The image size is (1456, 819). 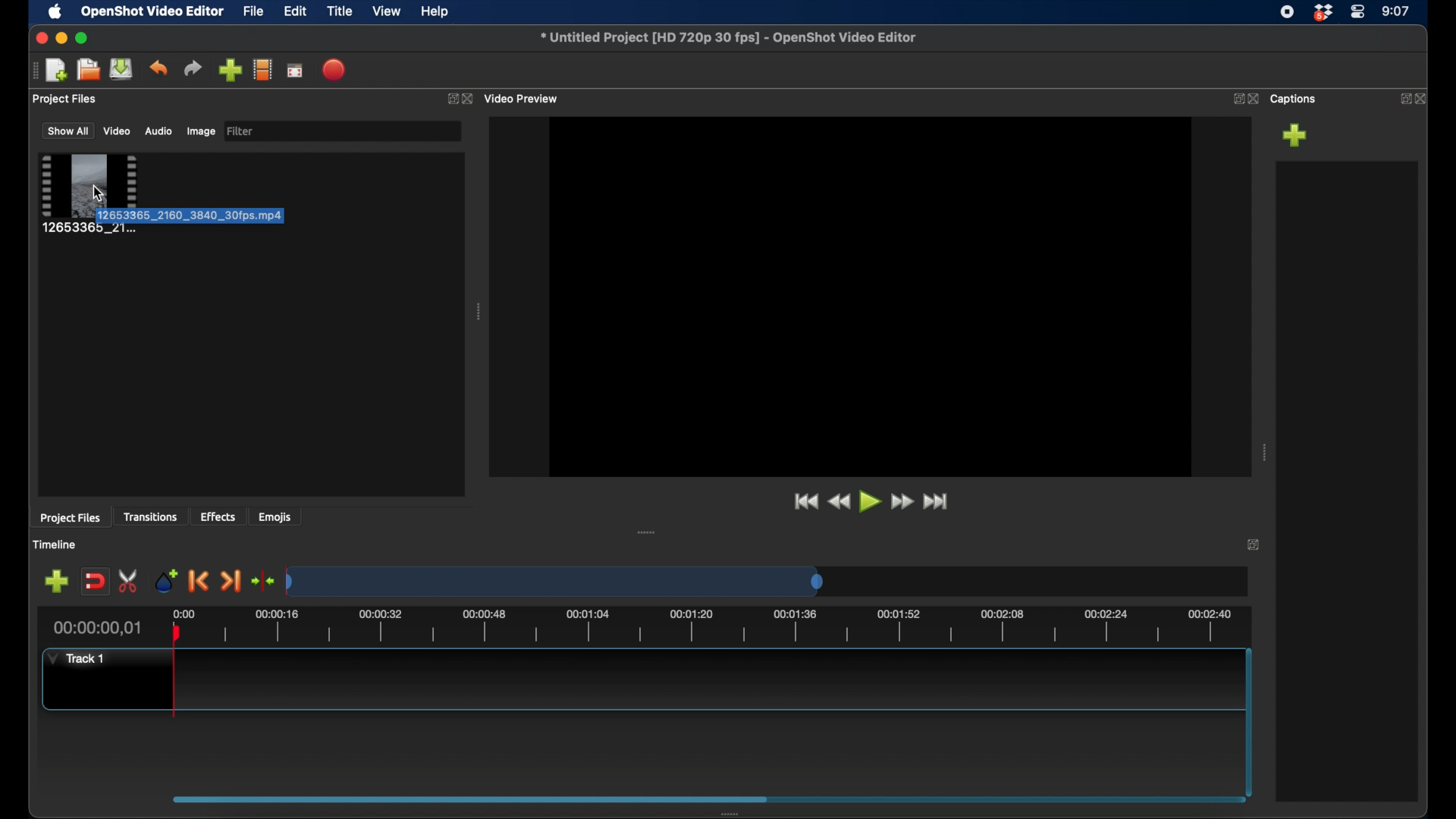 What do you see at coordinates (1235, 99) in the screenshot?
I see `expand` at bounding box center [1235, 99].